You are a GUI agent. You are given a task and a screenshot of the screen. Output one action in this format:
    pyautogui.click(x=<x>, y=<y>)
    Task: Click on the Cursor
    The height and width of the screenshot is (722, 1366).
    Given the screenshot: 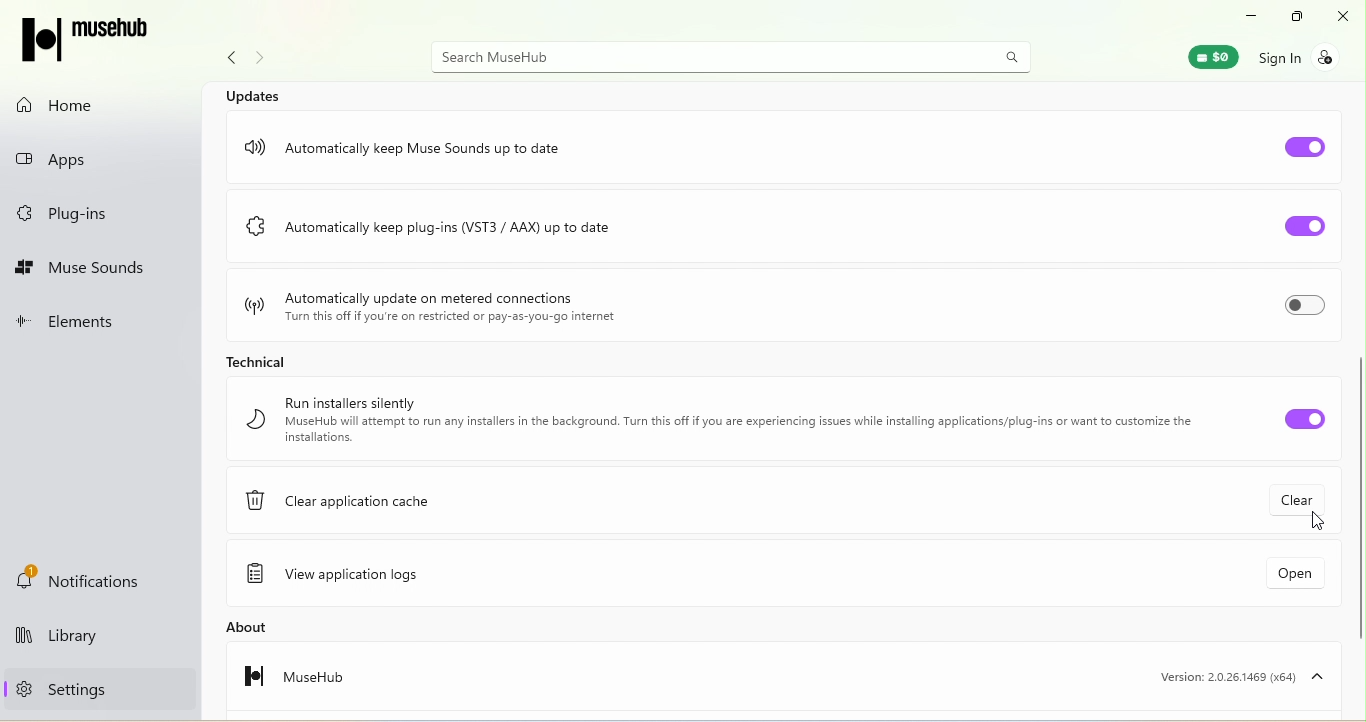 What is the action you would take?
    pyautogui.click(x=1321, y=529)
    